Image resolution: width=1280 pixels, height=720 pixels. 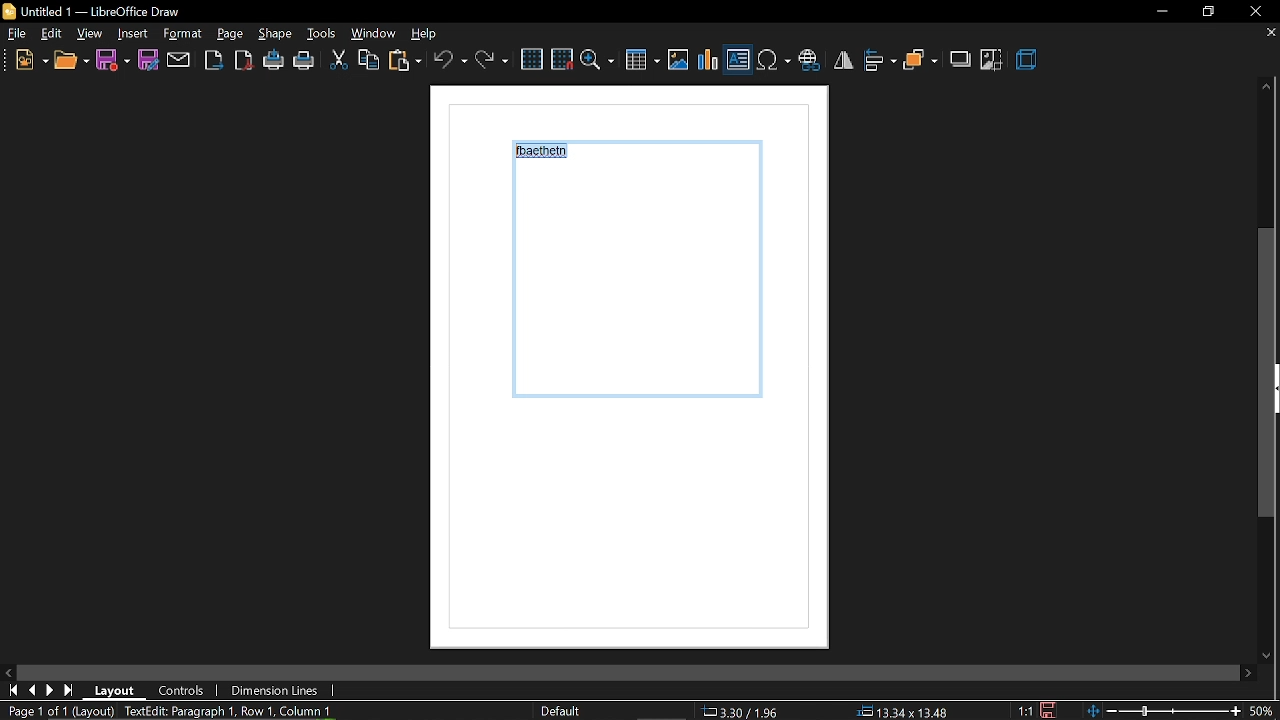 I want to click on Insert text, so click(x=738, y=59).